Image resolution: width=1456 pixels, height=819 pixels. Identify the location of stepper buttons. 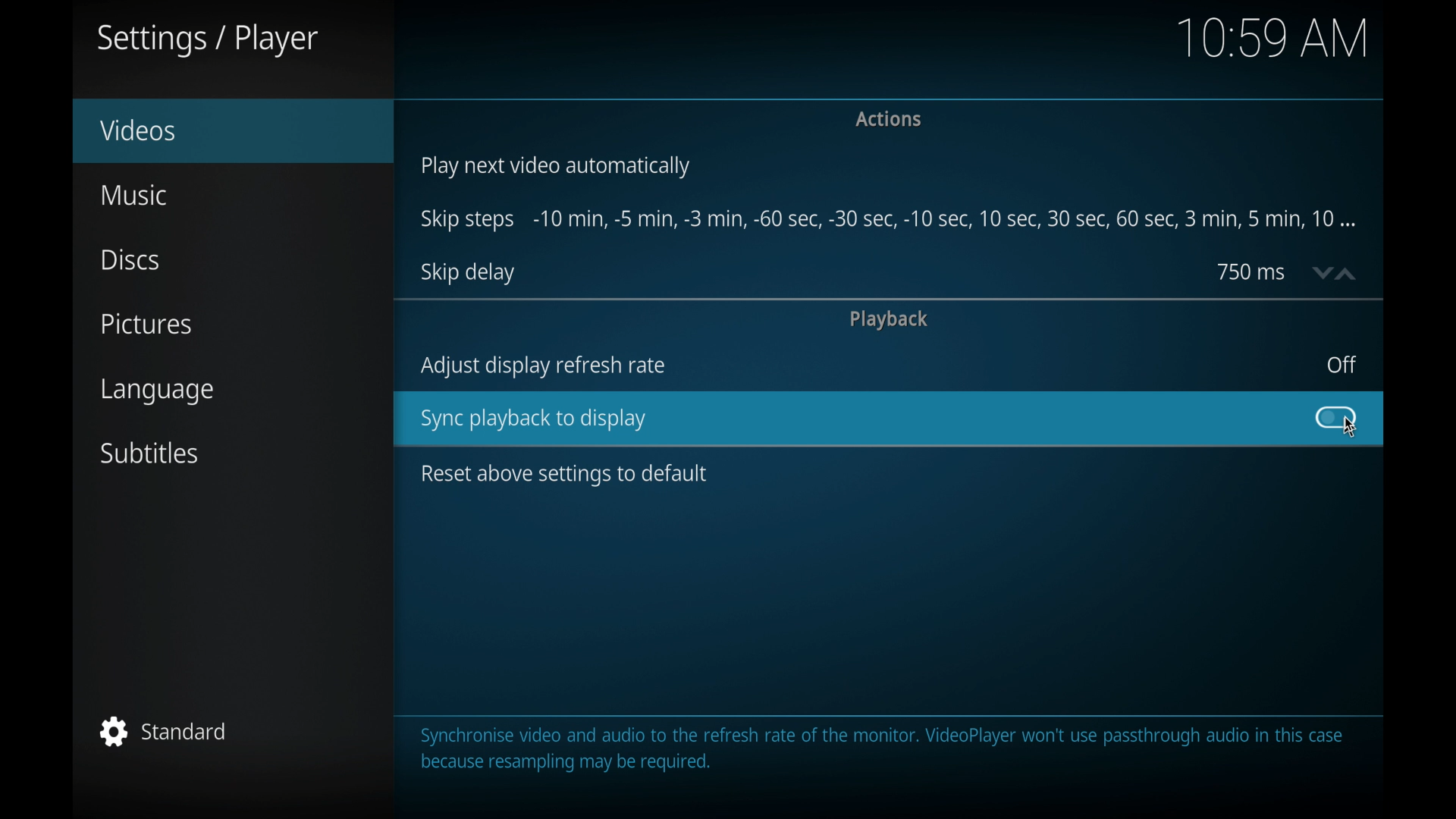
(1336, 272).